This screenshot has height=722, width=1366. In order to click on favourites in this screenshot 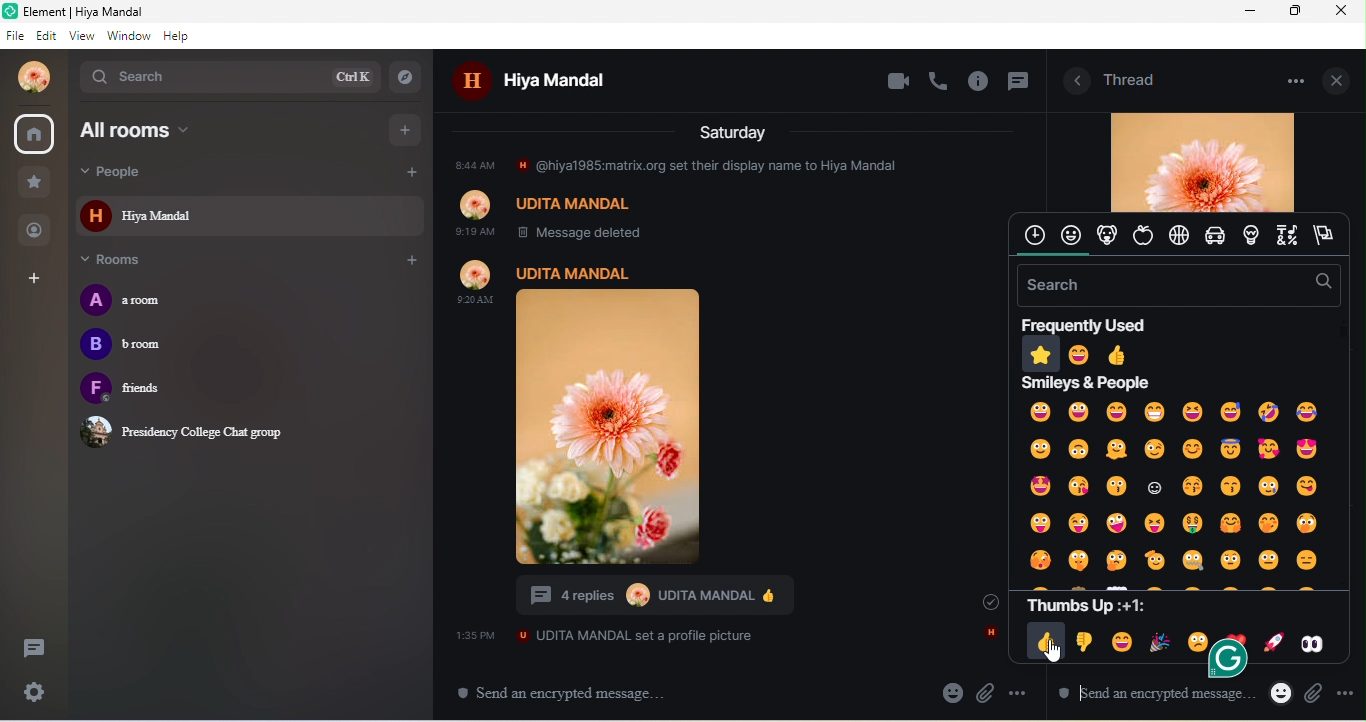, I will do `click(34, 183)`.